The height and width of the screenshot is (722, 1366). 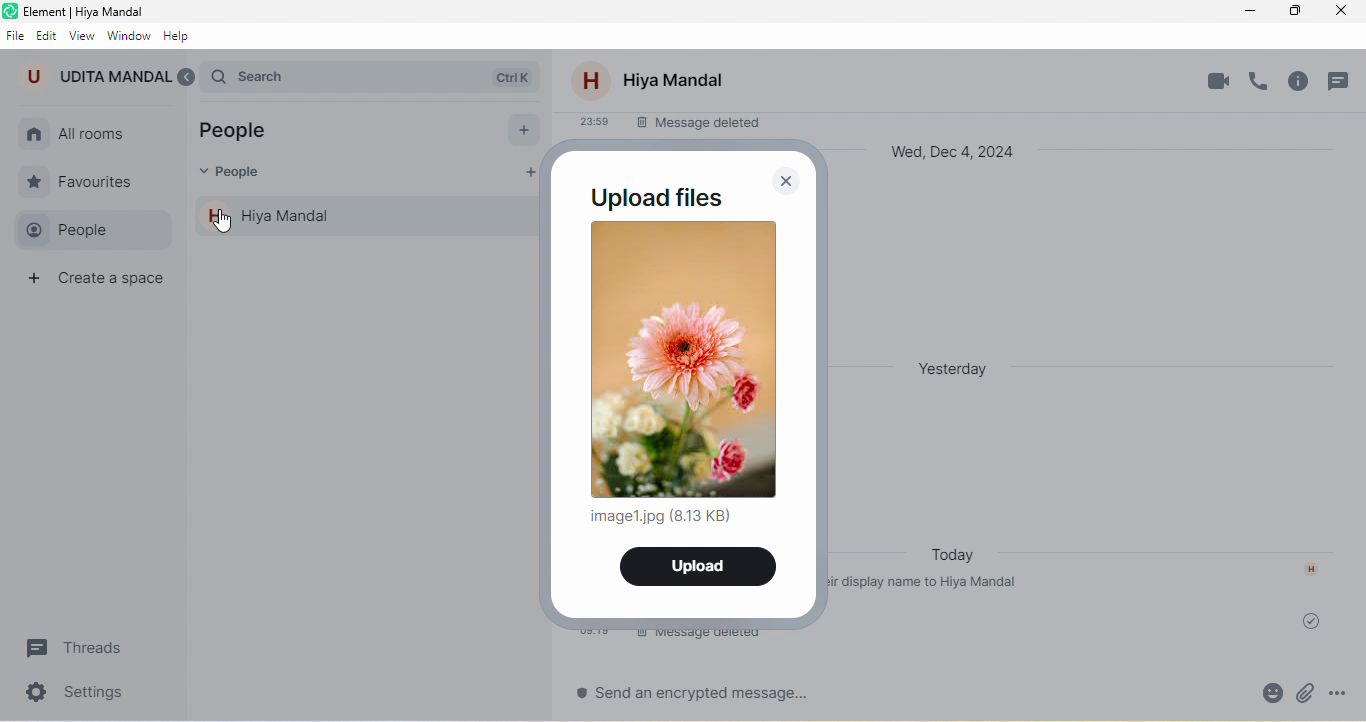 What do you see at coordinates (964, 366) in the screenshot?
I see `yesterday` at bounding box center [964, 366].